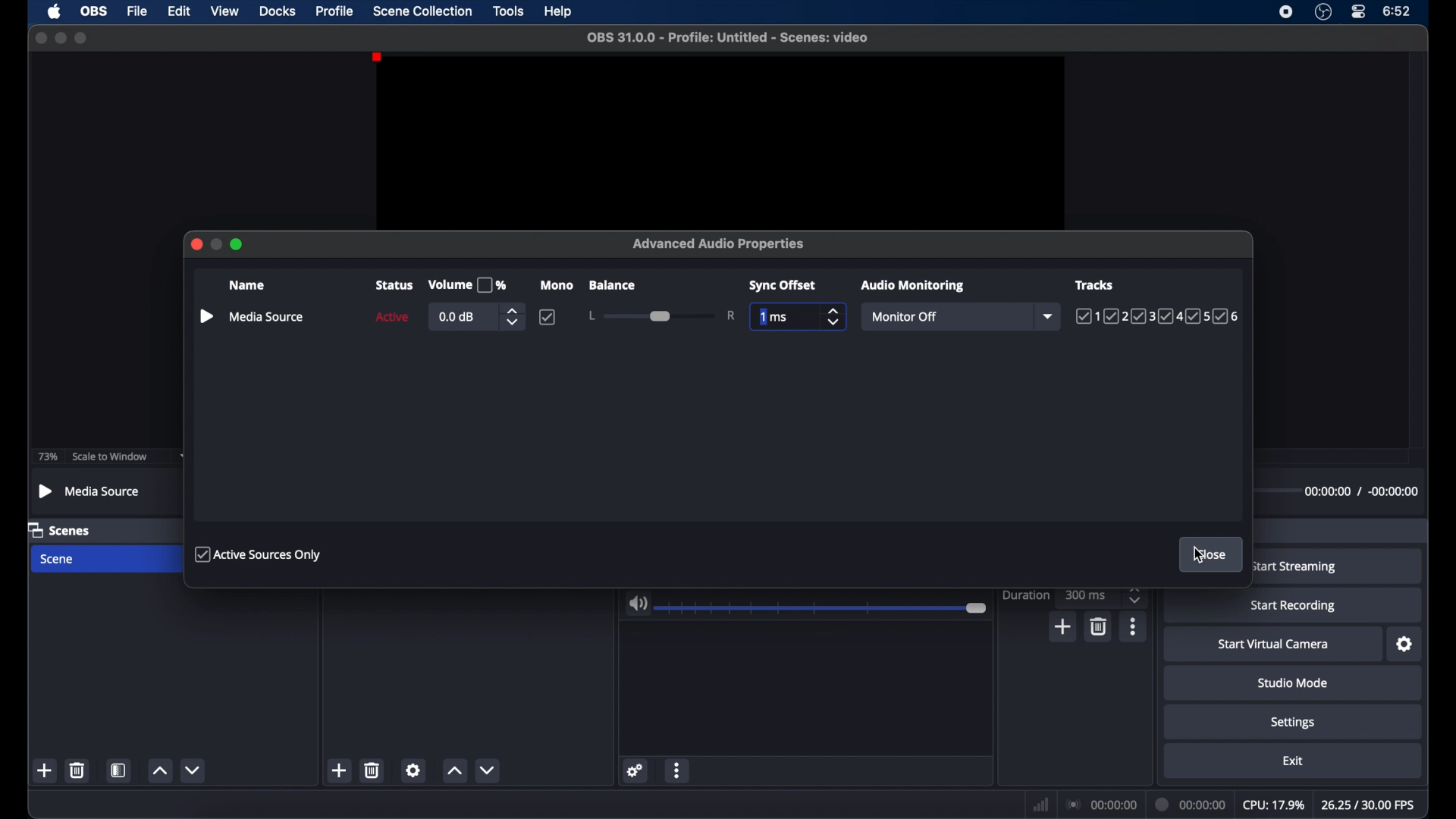 The width and height of the screenshot is (1456, 819). Describe the element at coordinates (217, 244) in the screenshot. I see `minimize` at that location.